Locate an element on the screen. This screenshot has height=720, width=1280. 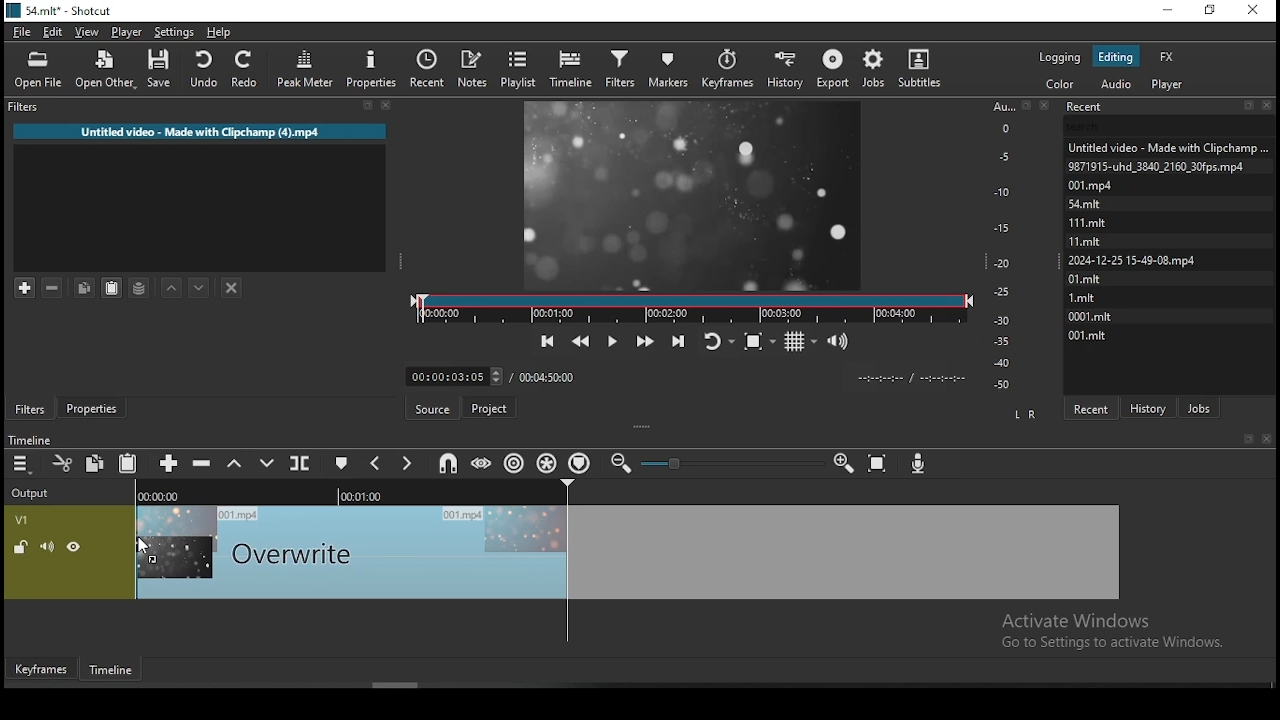
undo is located at coordinates (202, 68).